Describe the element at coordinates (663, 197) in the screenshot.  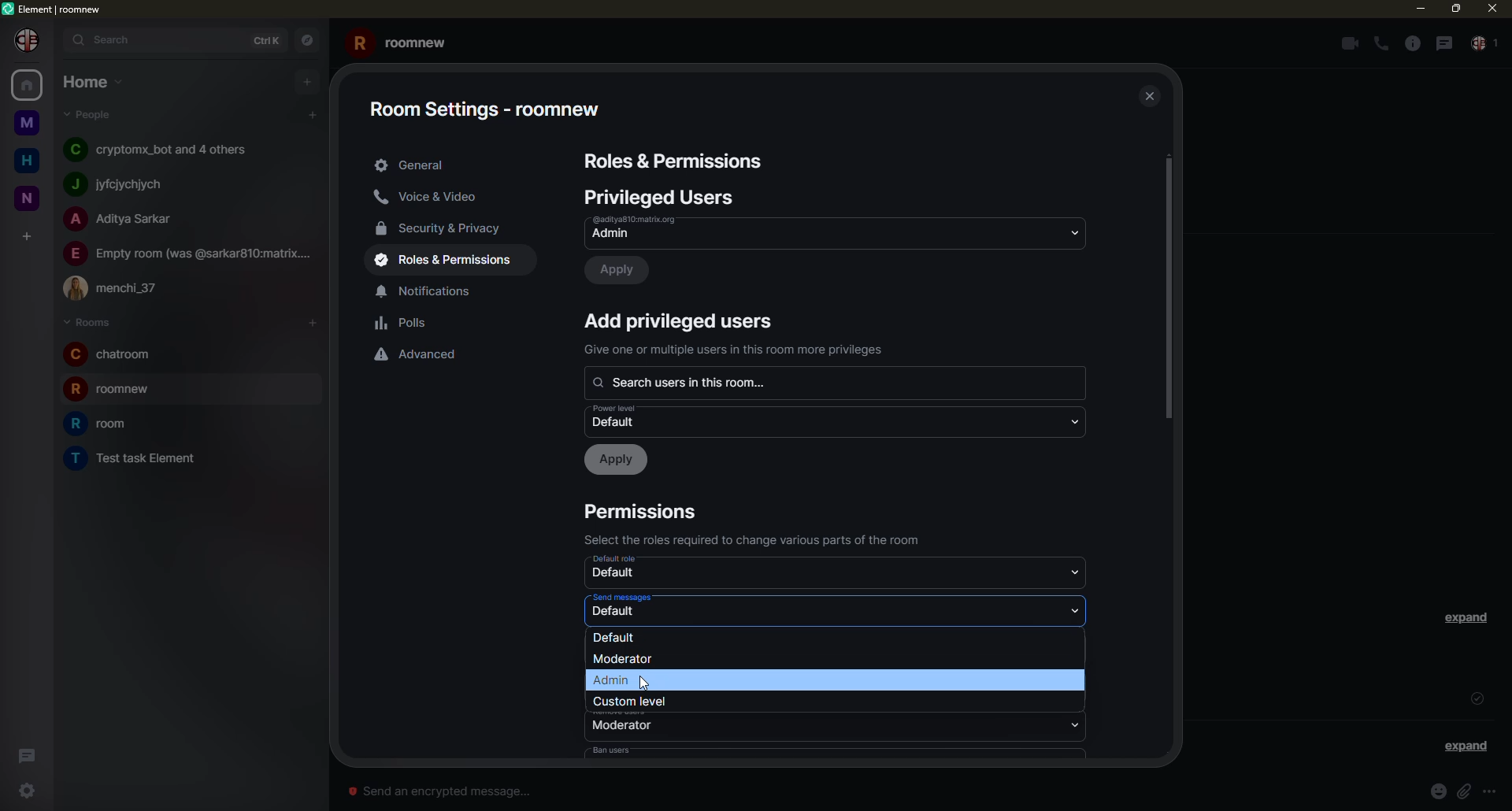
I see `users` at that location.